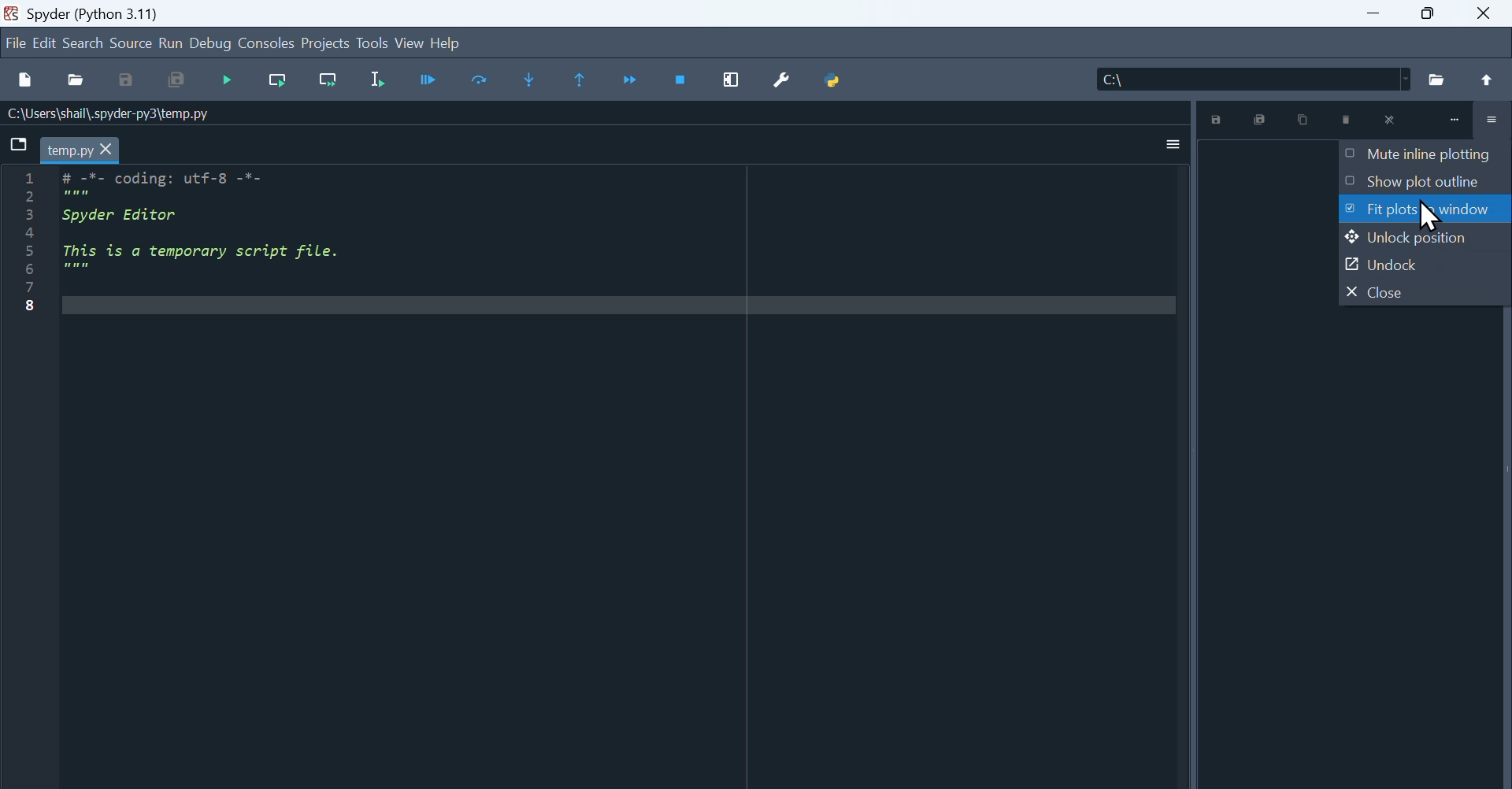 The height and width of the screenshot is (789, 1512). I want to click on File Path, so click(117, 114).